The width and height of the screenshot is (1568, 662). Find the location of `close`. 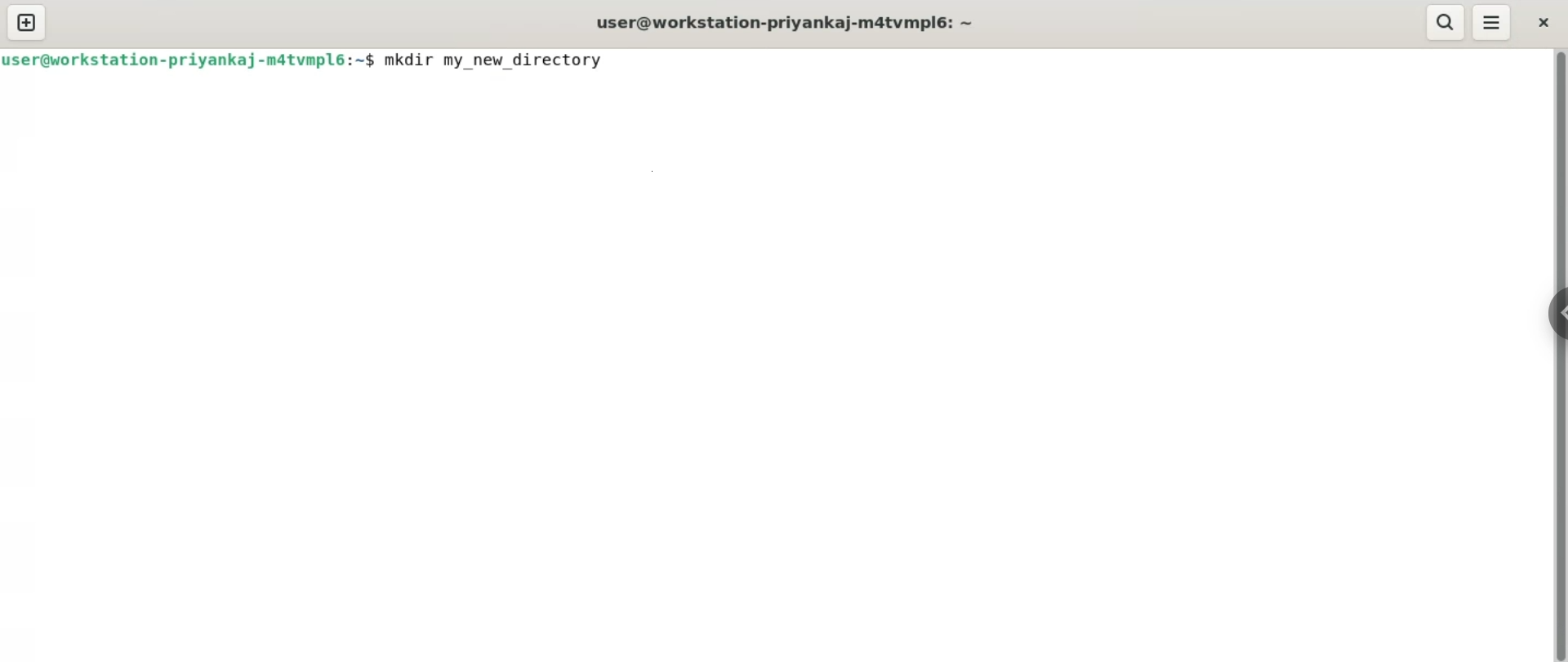

close is located at coordinates (1547, 21).